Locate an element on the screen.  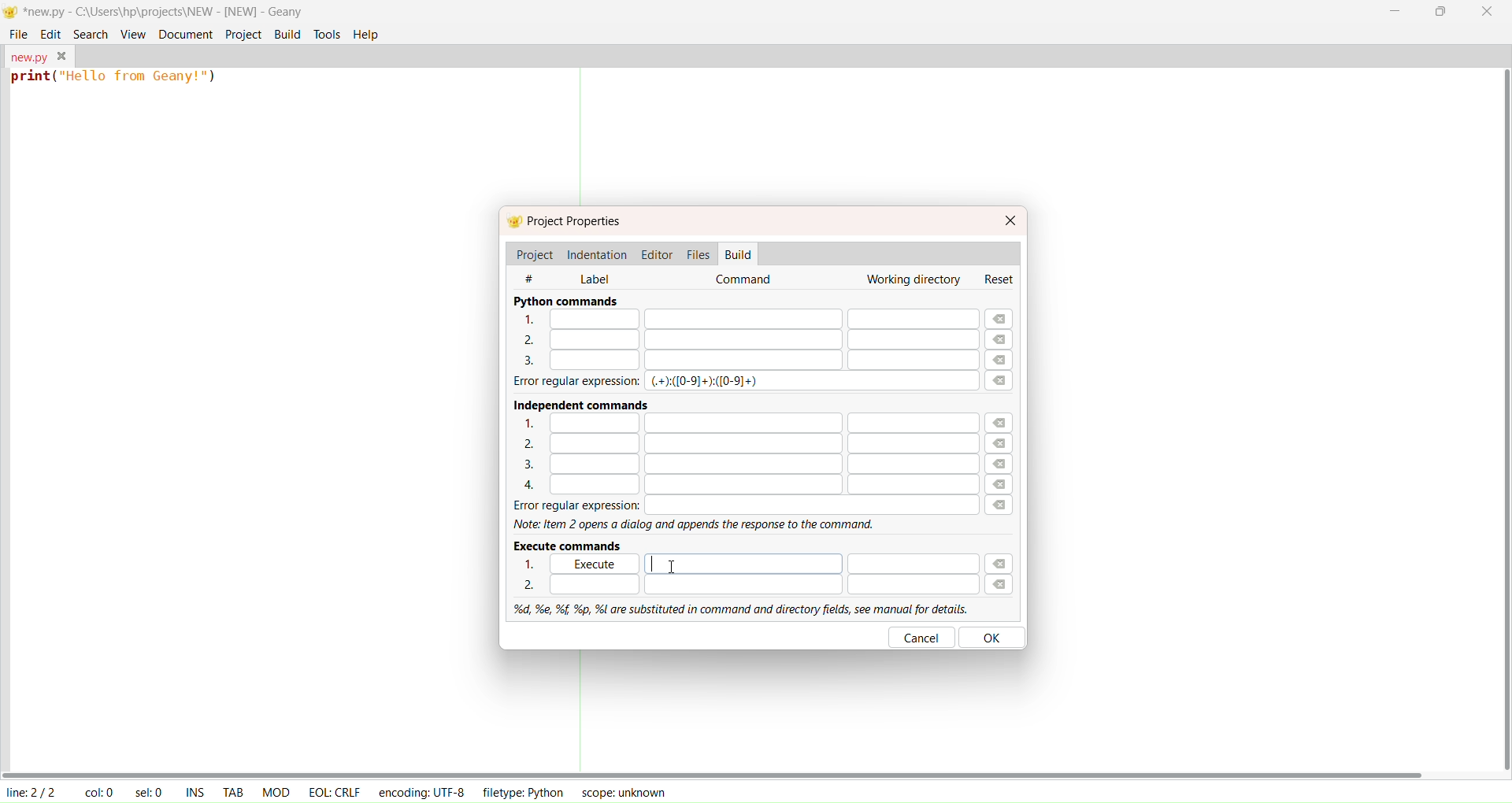
reset is located at coordinates (1002, 279).